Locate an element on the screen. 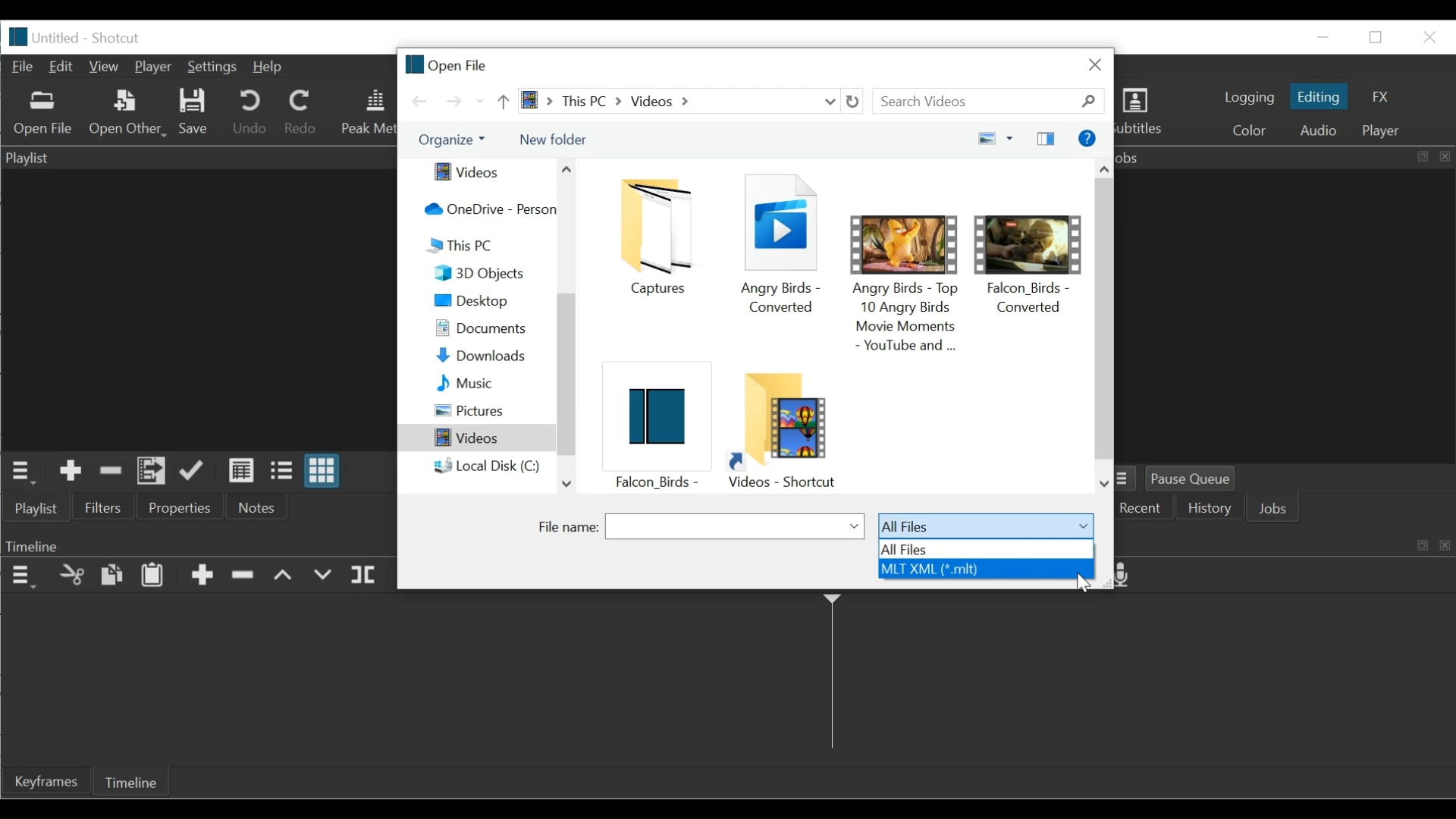 The image size is (1456, 819). File name field is located at coordinates (735, 526).